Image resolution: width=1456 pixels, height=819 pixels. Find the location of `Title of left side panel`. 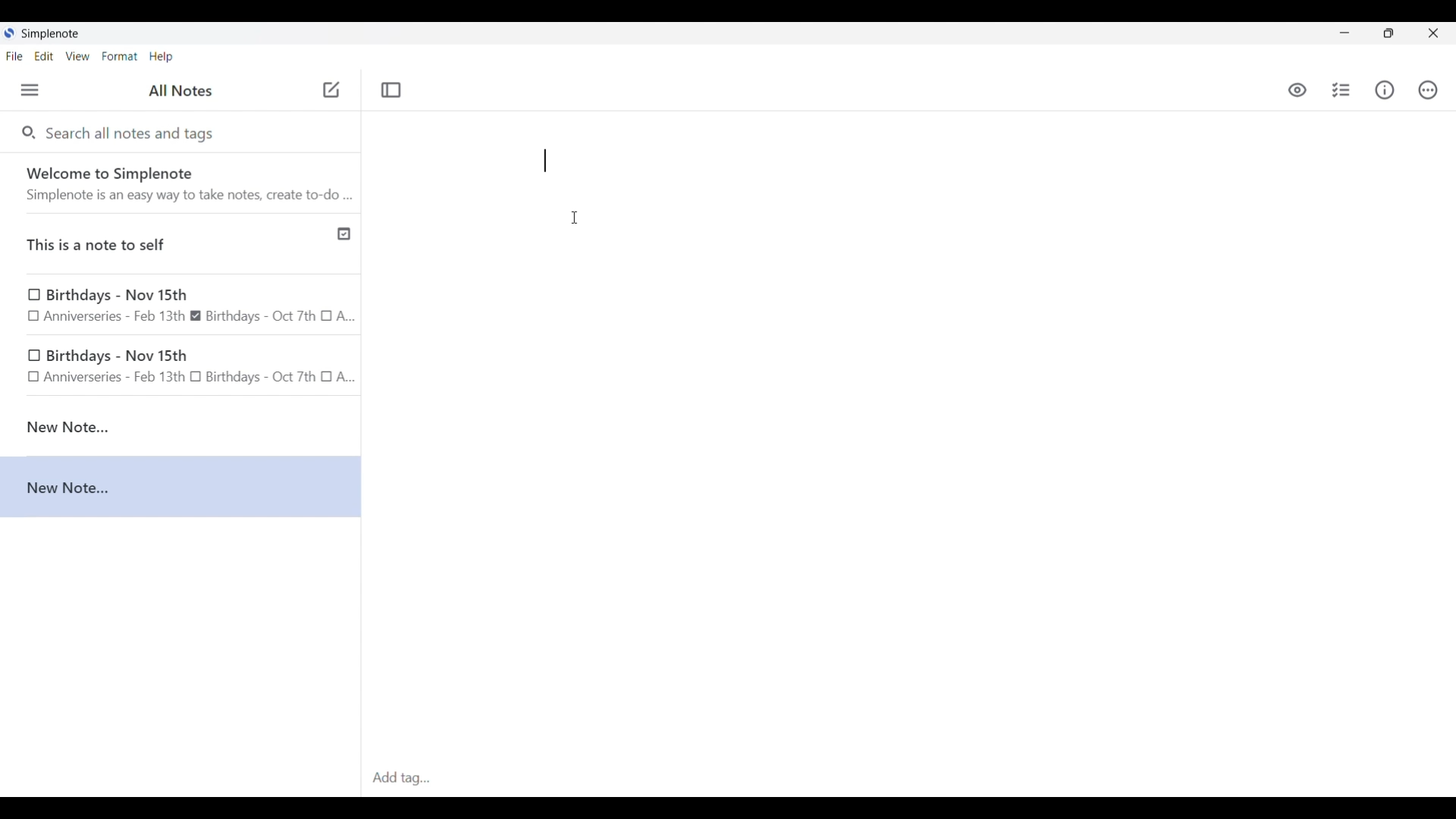

Title of left side panel is located at coordinates (180, 91).